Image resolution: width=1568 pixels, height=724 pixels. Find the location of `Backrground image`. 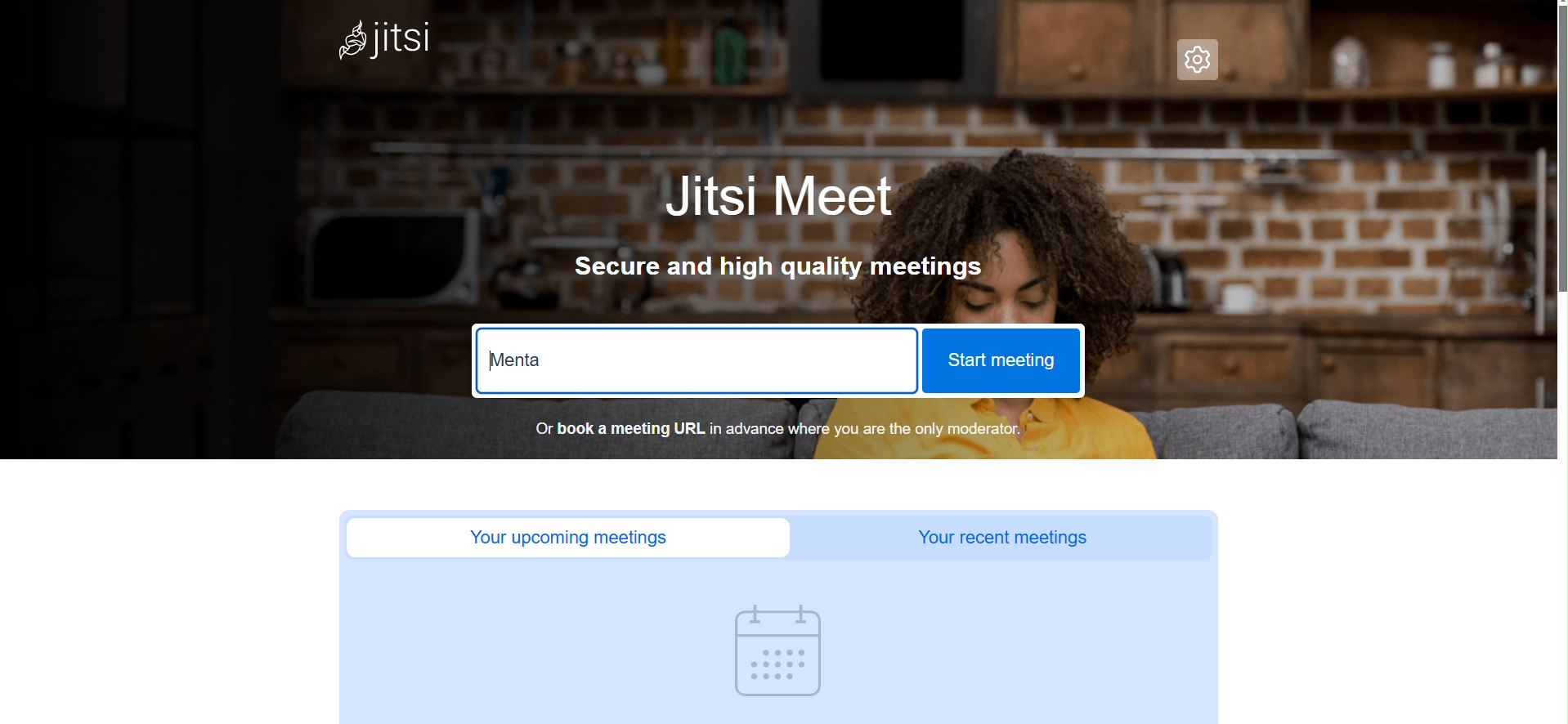

Backrground image is located at coordinates (1390, 46).